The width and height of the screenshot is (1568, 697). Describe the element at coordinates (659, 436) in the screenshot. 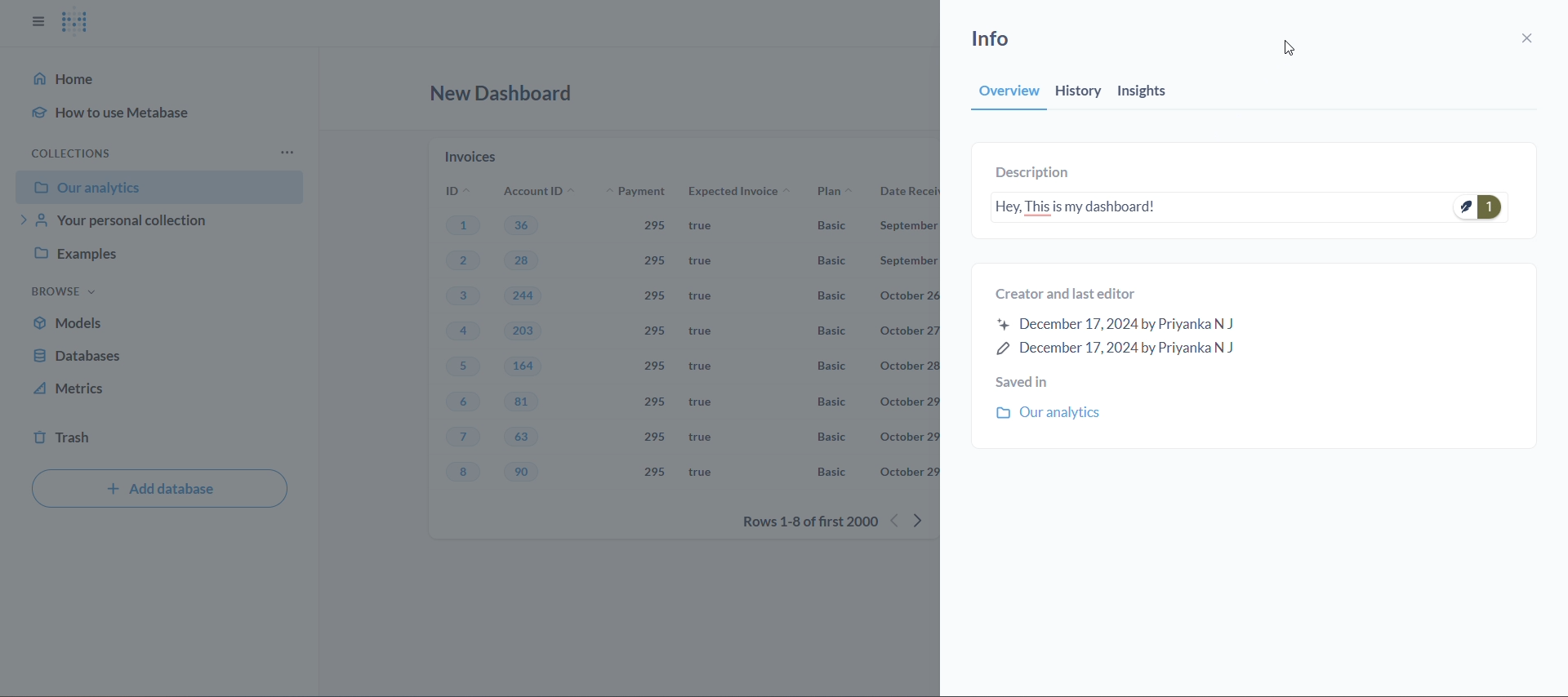

I see `295` at that location.